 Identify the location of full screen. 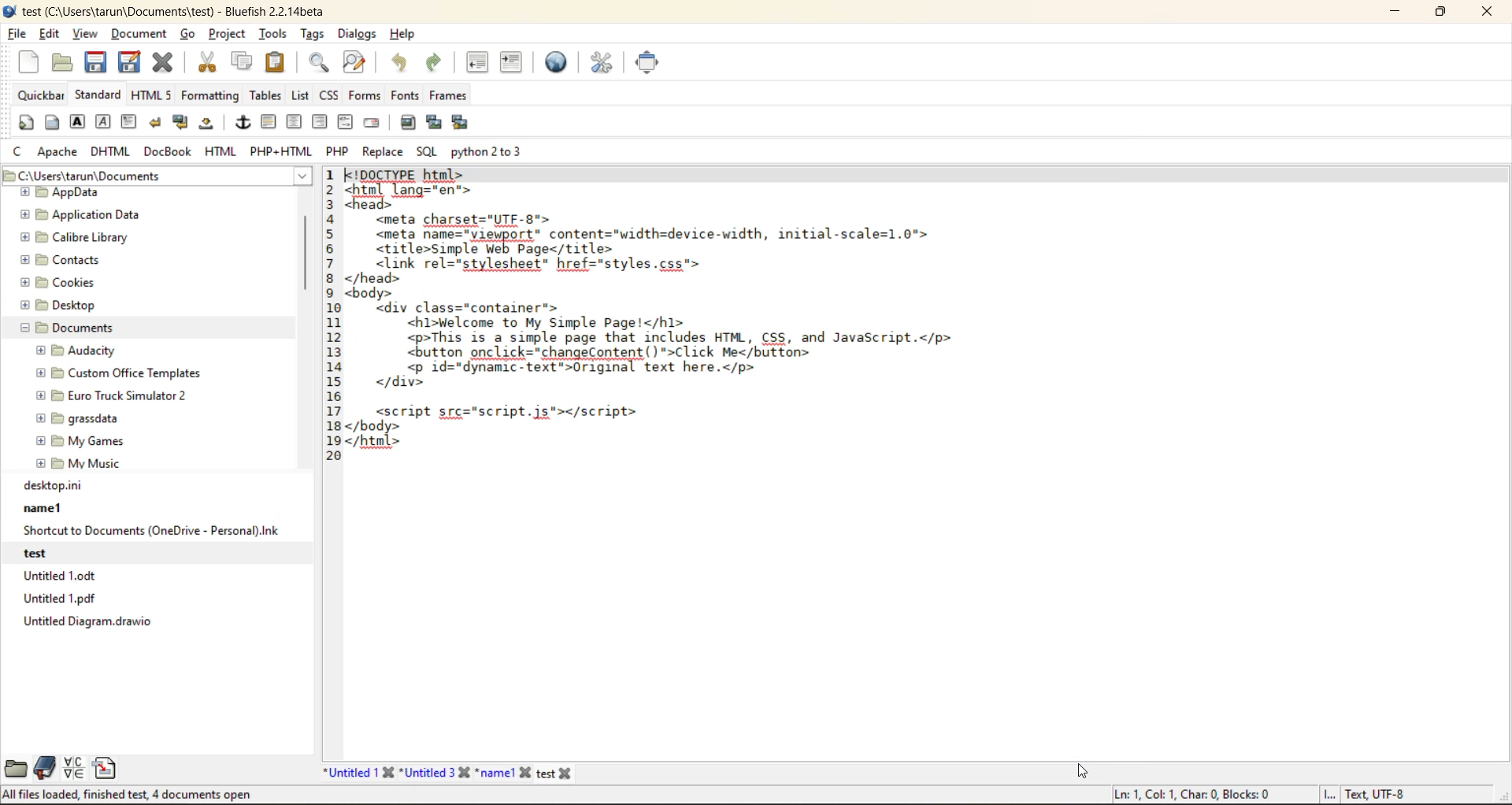
(649, 62).